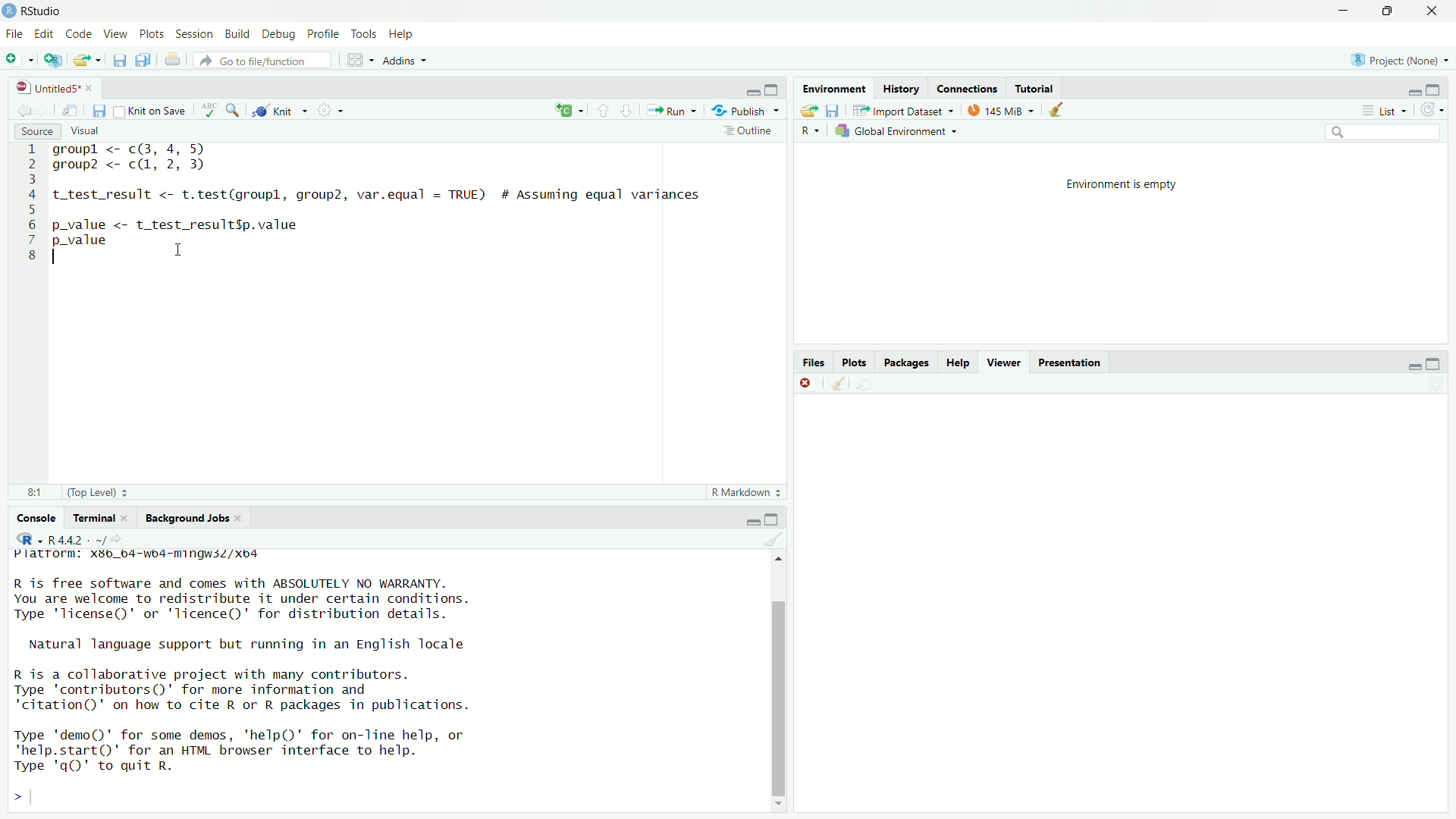  What do you see at coordinates (44, 9) in the screenshot?
I see `Rstudio` at bounding box center [44, 9].